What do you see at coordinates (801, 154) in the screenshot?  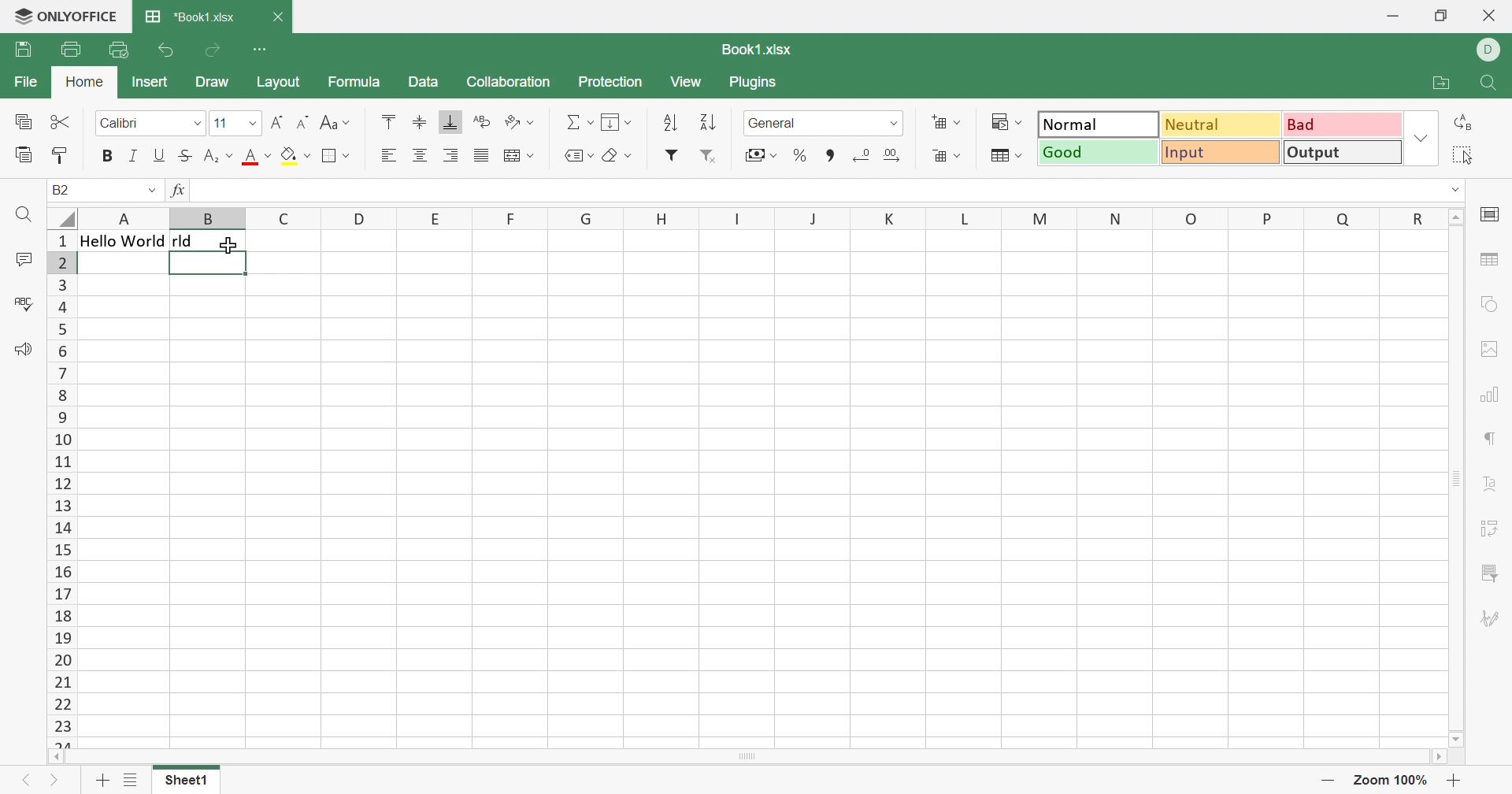 I see `Percent style` at bounding box center [801, 154].